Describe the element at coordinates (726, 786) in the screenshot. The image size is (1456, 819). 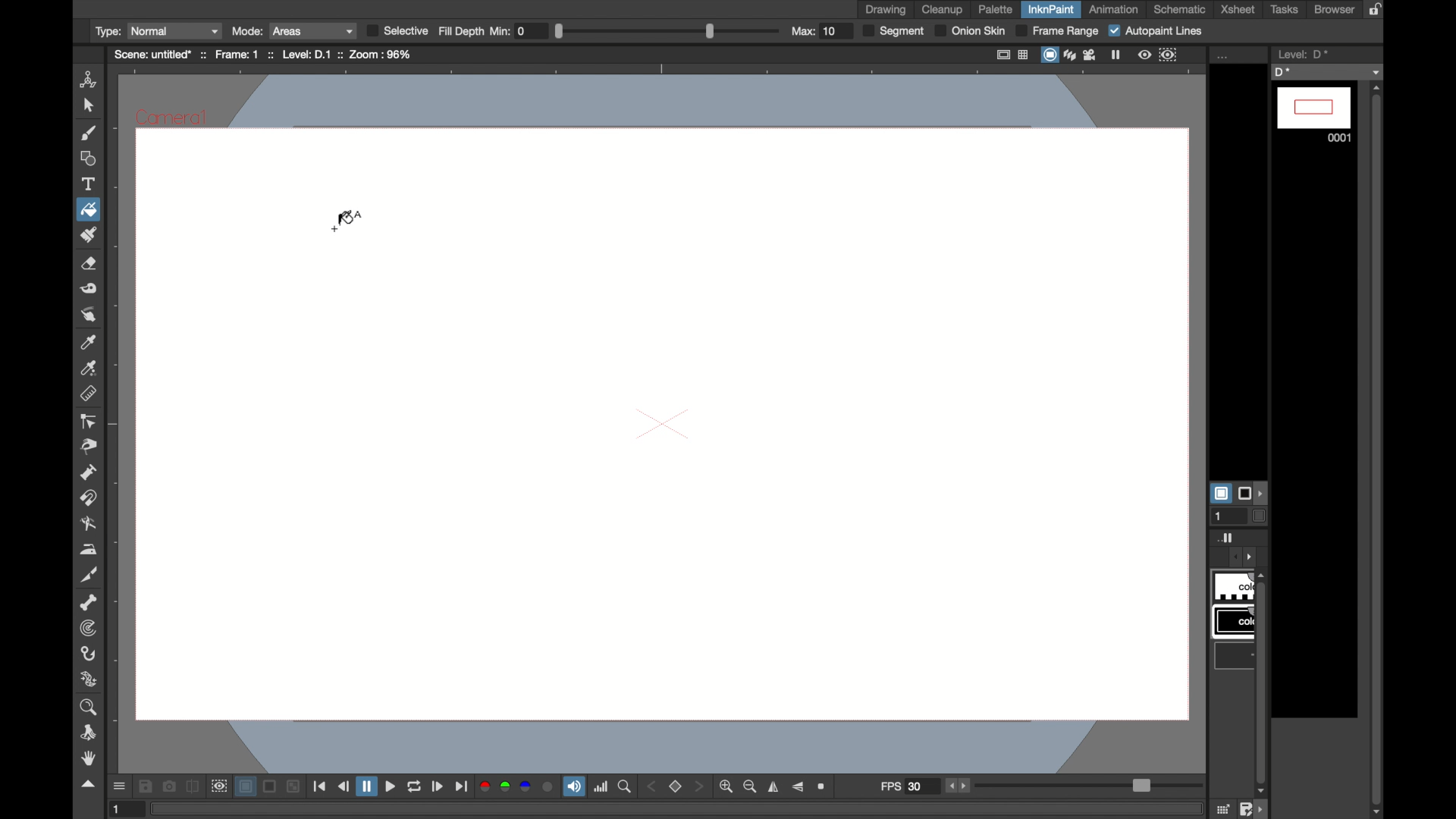
I see `zoom in` at that location.